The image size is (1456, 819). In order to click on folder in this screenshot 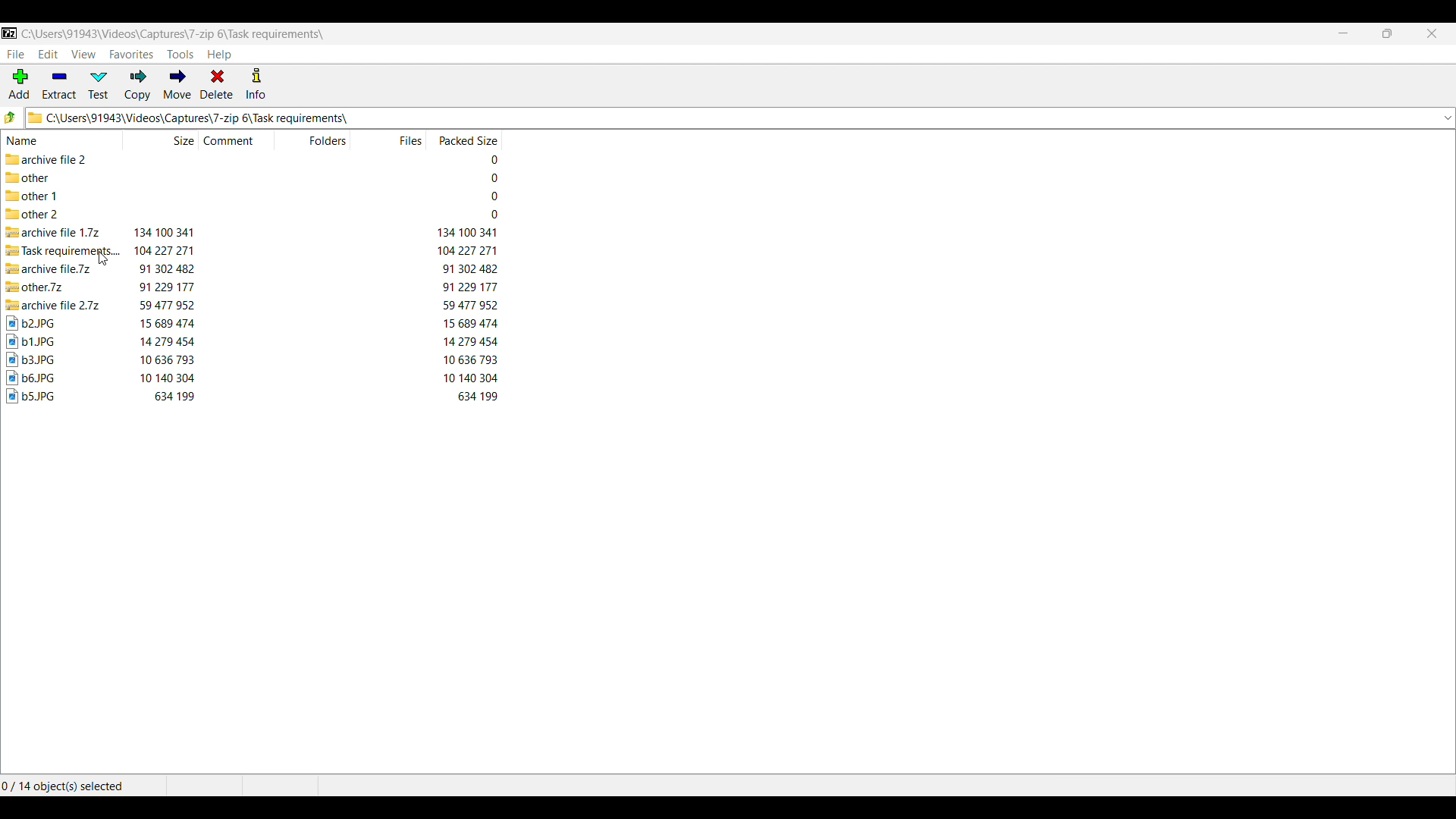, I will do `click(45, 177)`.